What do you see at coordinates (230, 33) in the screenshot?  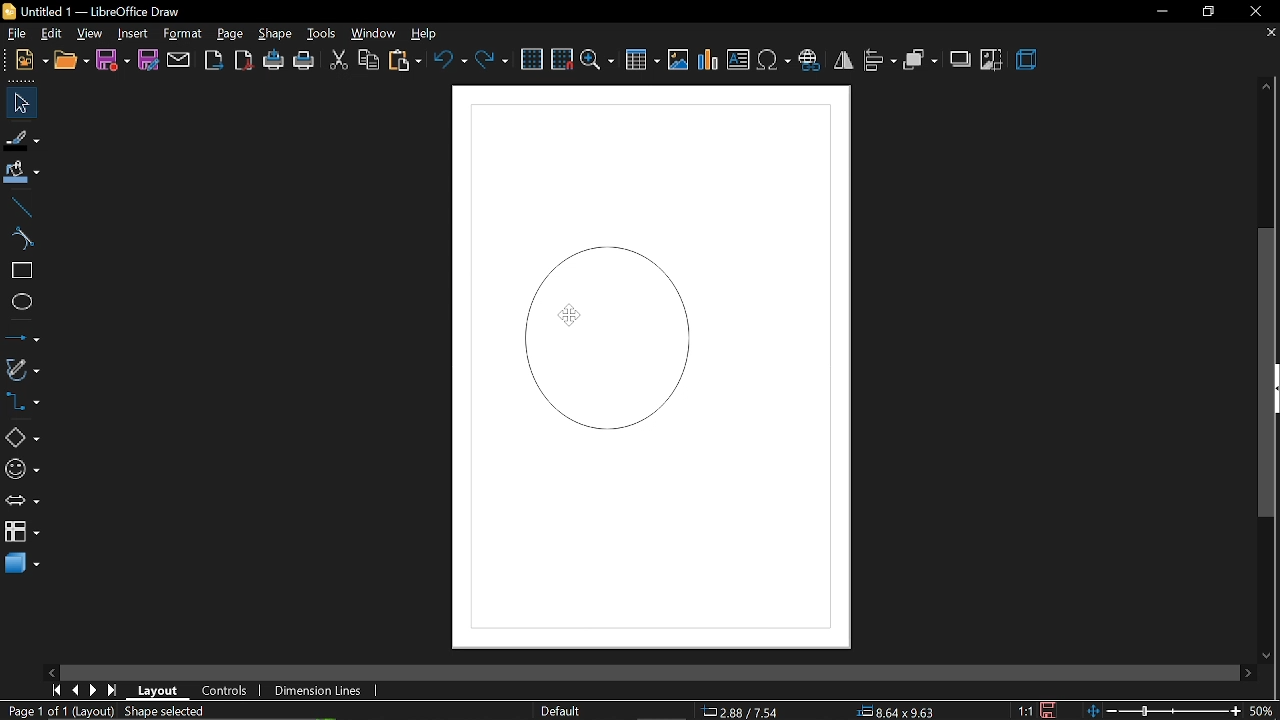 I see `page` at bounding box center [230, 33].